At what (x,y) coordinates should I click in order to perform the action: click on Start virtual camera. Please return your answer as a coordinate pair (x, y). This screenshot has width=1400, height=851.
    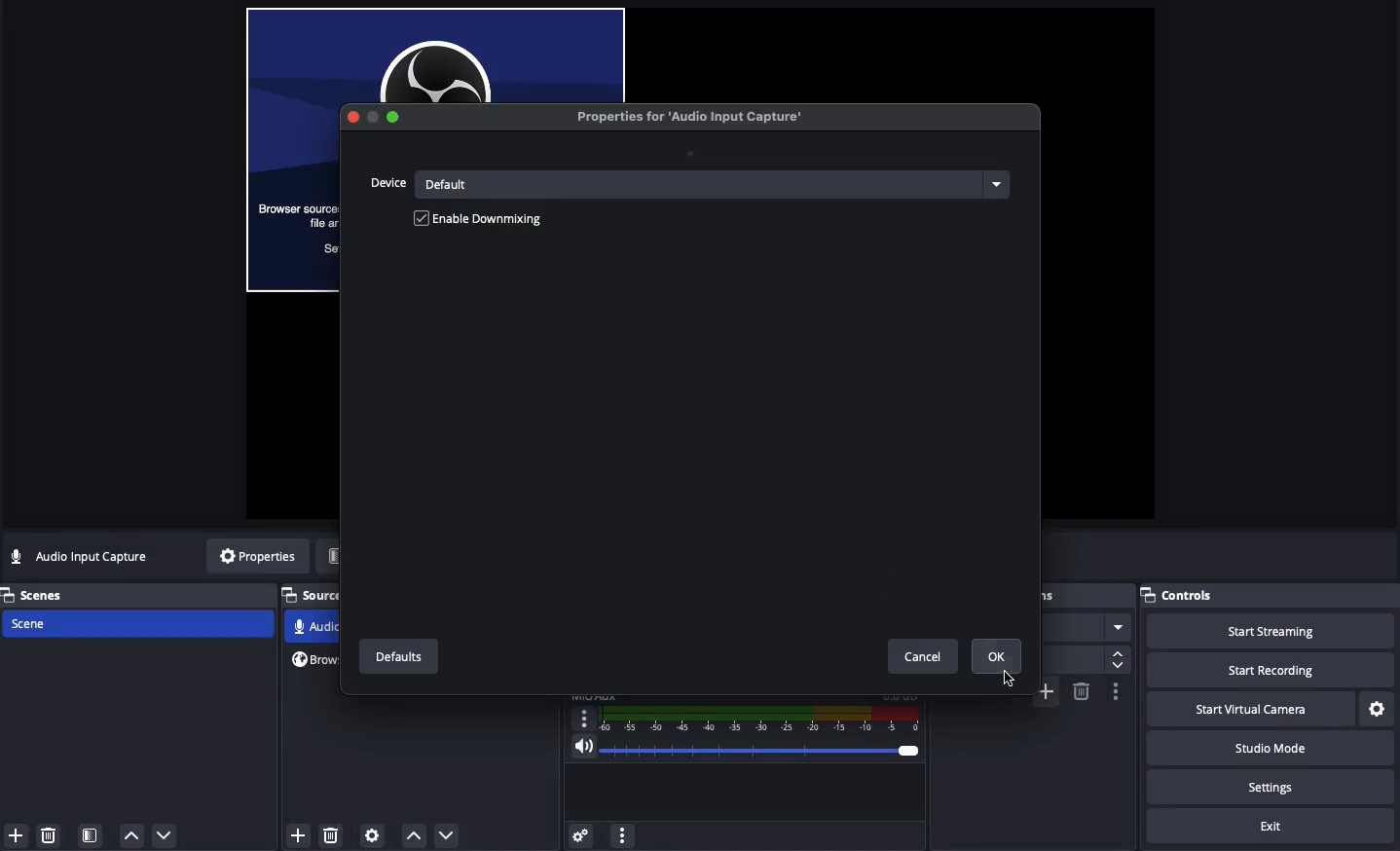
    Looking at the image, I should click on (1246, 710).